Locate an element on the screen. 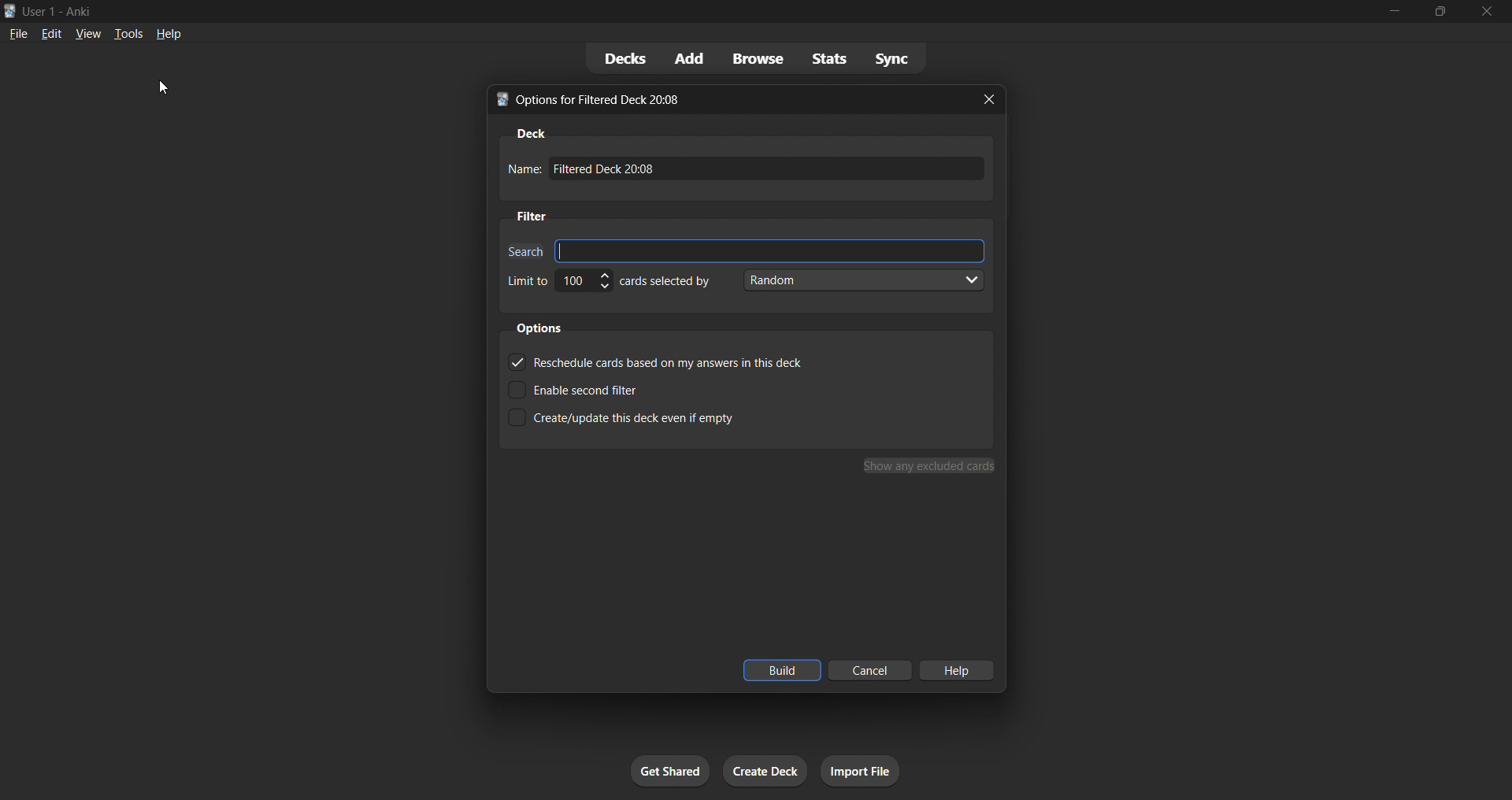 The image size is (1512, 800). tools is located at coordinates (128, 35).